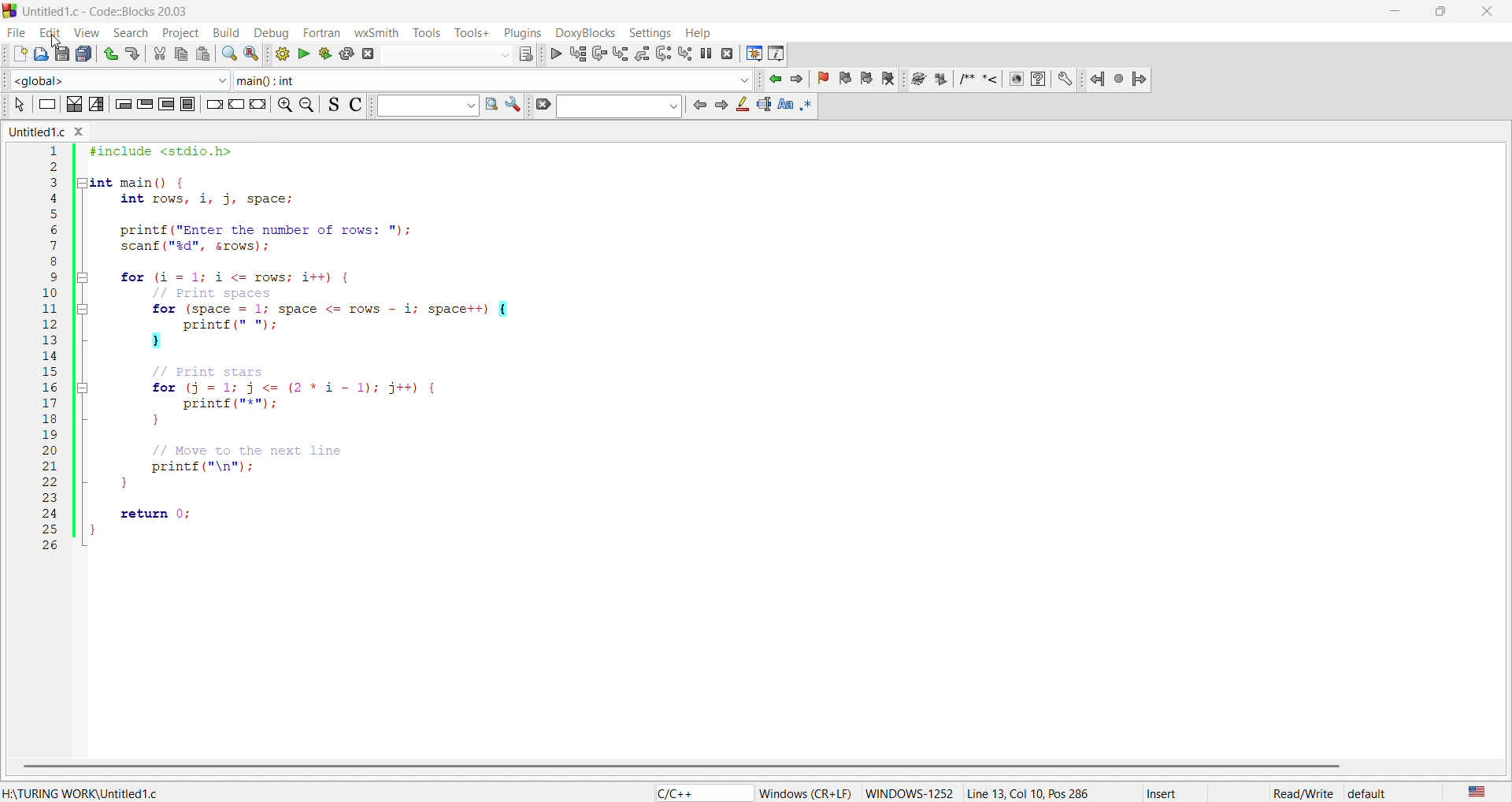 This screenshot has height=802, width=1512. What do you see at coordinates (917, 79) in the screenshot?
I see `run doxy wizard` at bounding box center [917, 79].